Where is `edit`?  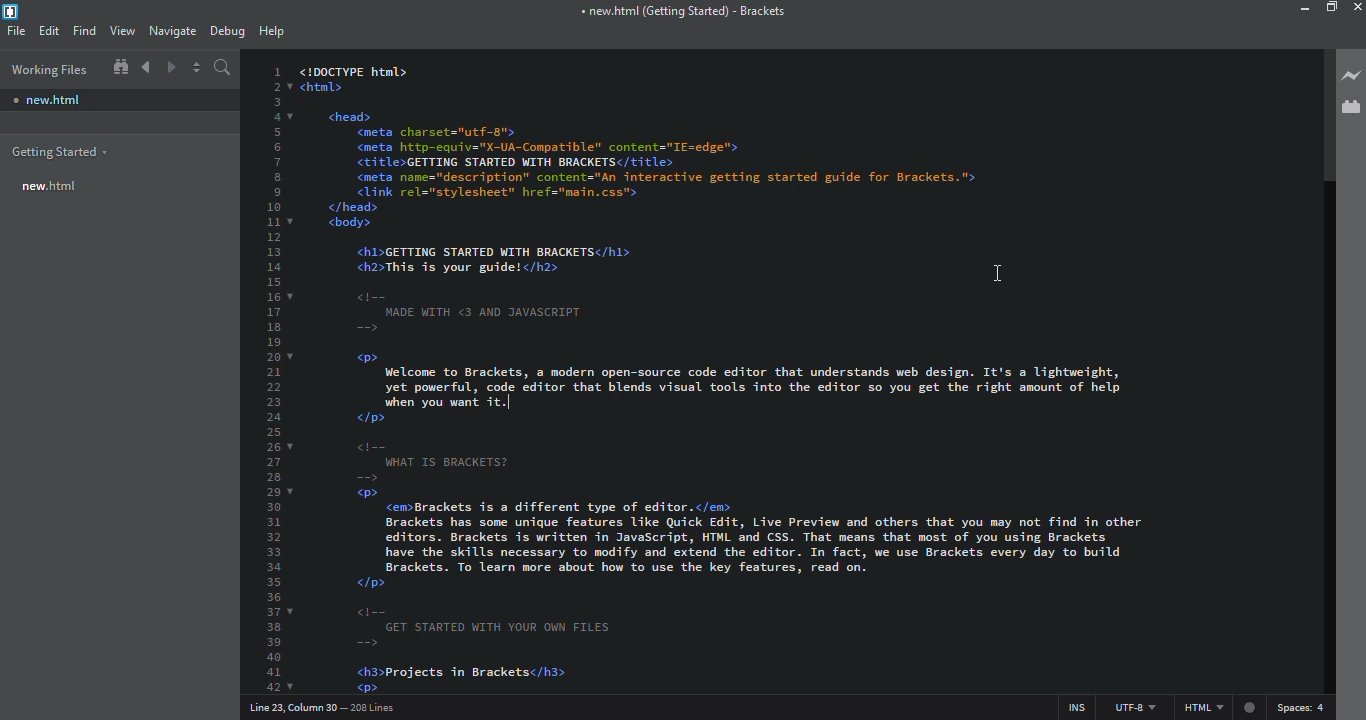 edit is located at coordinates (51, 29).